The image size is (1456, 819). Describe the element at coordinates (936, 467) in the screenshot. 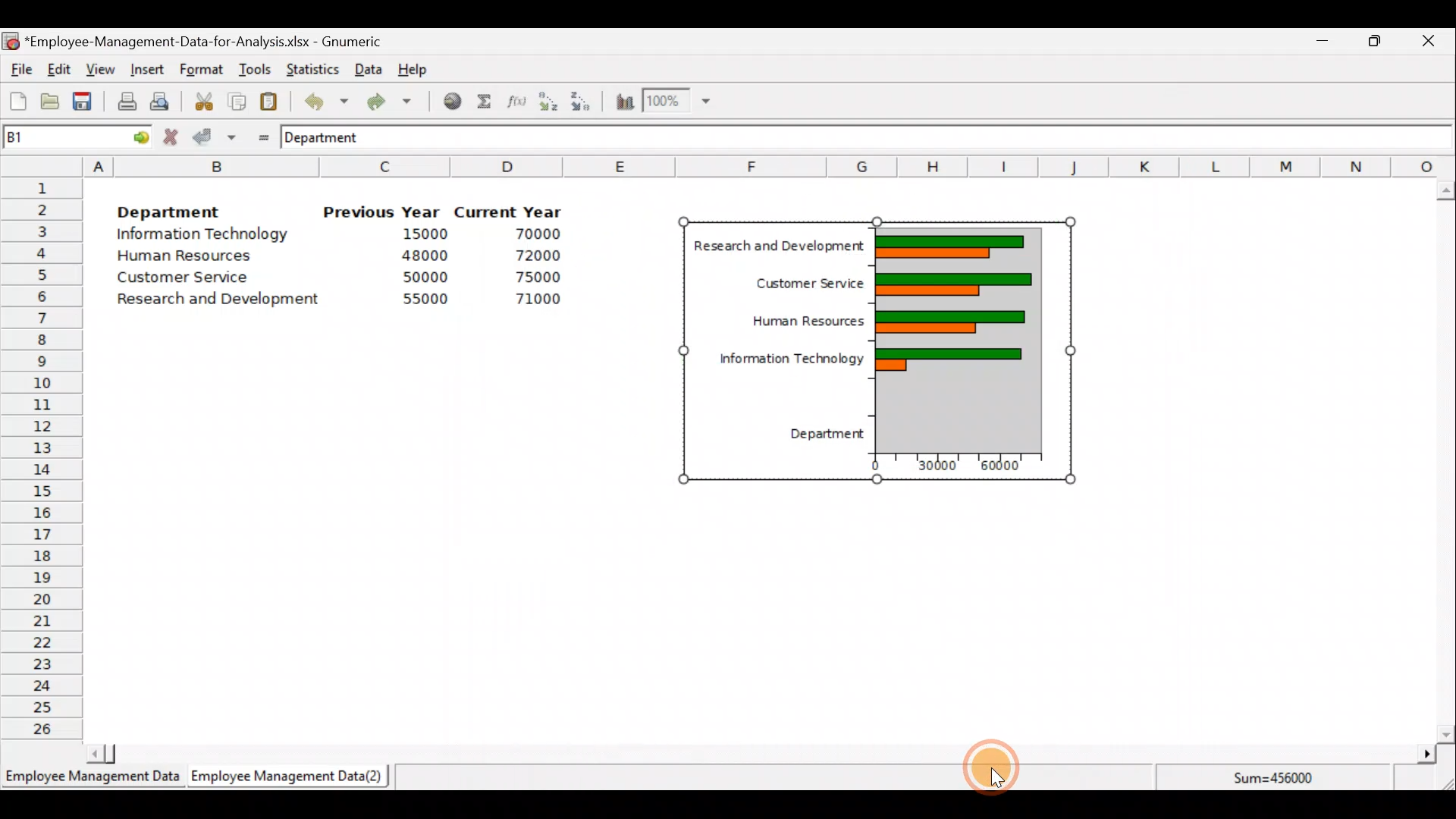

I see `30000` at that location.